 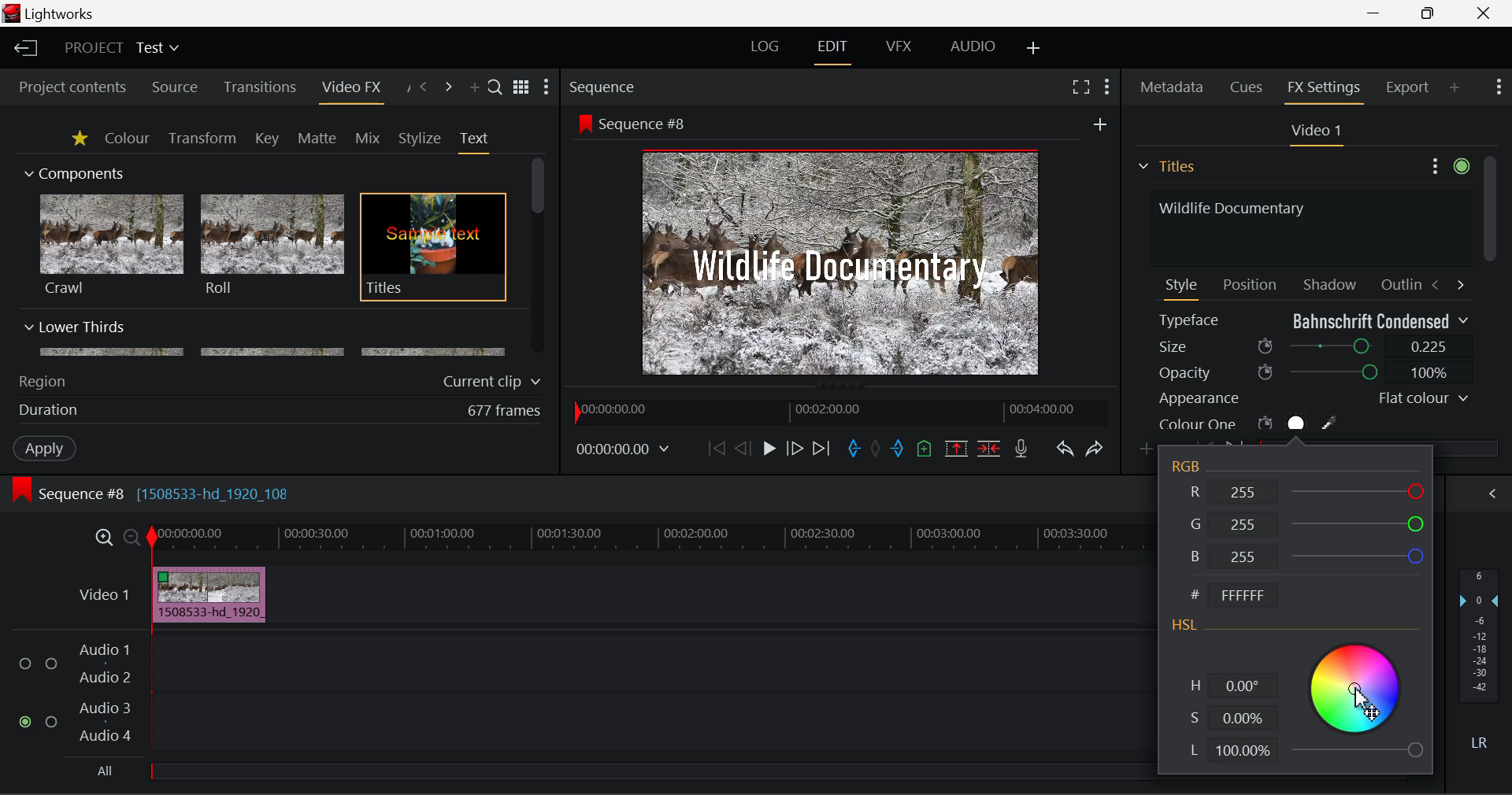 What do you see at coordinates (794, 449) in the screenshot?
I see `Go Forward` at bounding box center [794, 449].